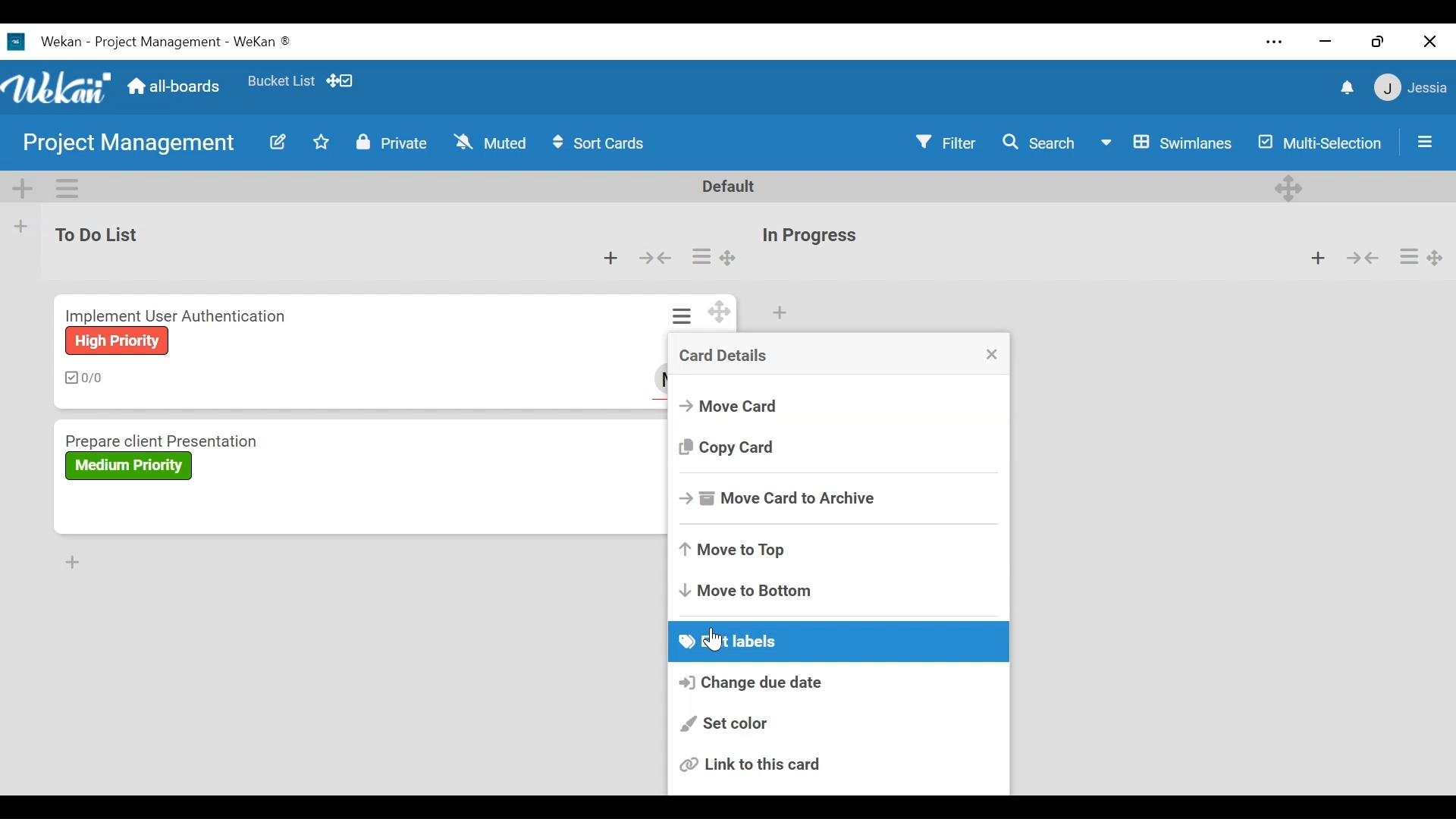 Image resolution: width=1456 pixels, height=819 pixels. Describe the element at coordinates (714, 640) in the screenshot. I see `Cursor` at that location.